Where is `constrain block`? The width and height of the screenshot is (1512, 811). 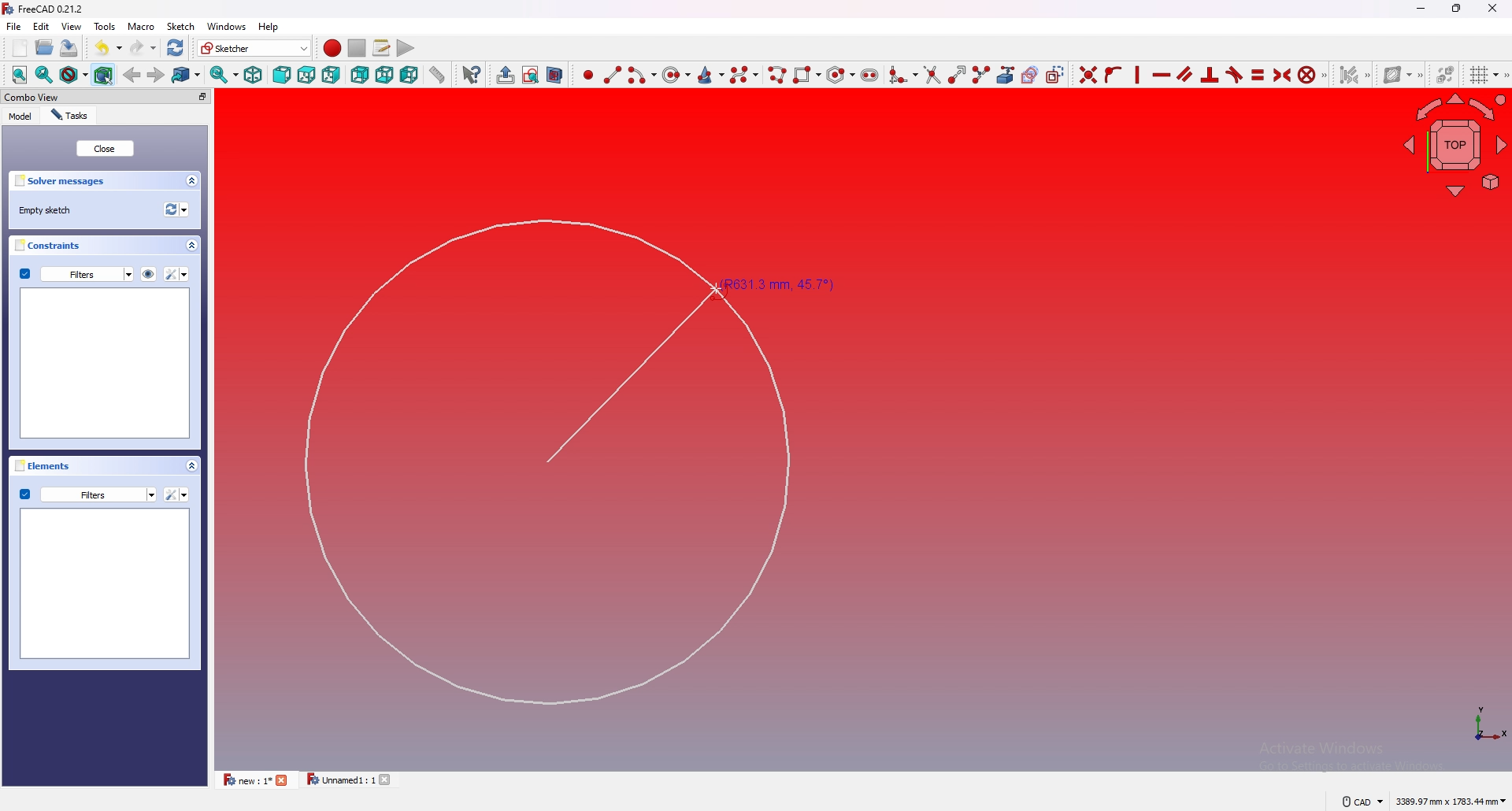 constrain block is located at coordinates (1314, 73).